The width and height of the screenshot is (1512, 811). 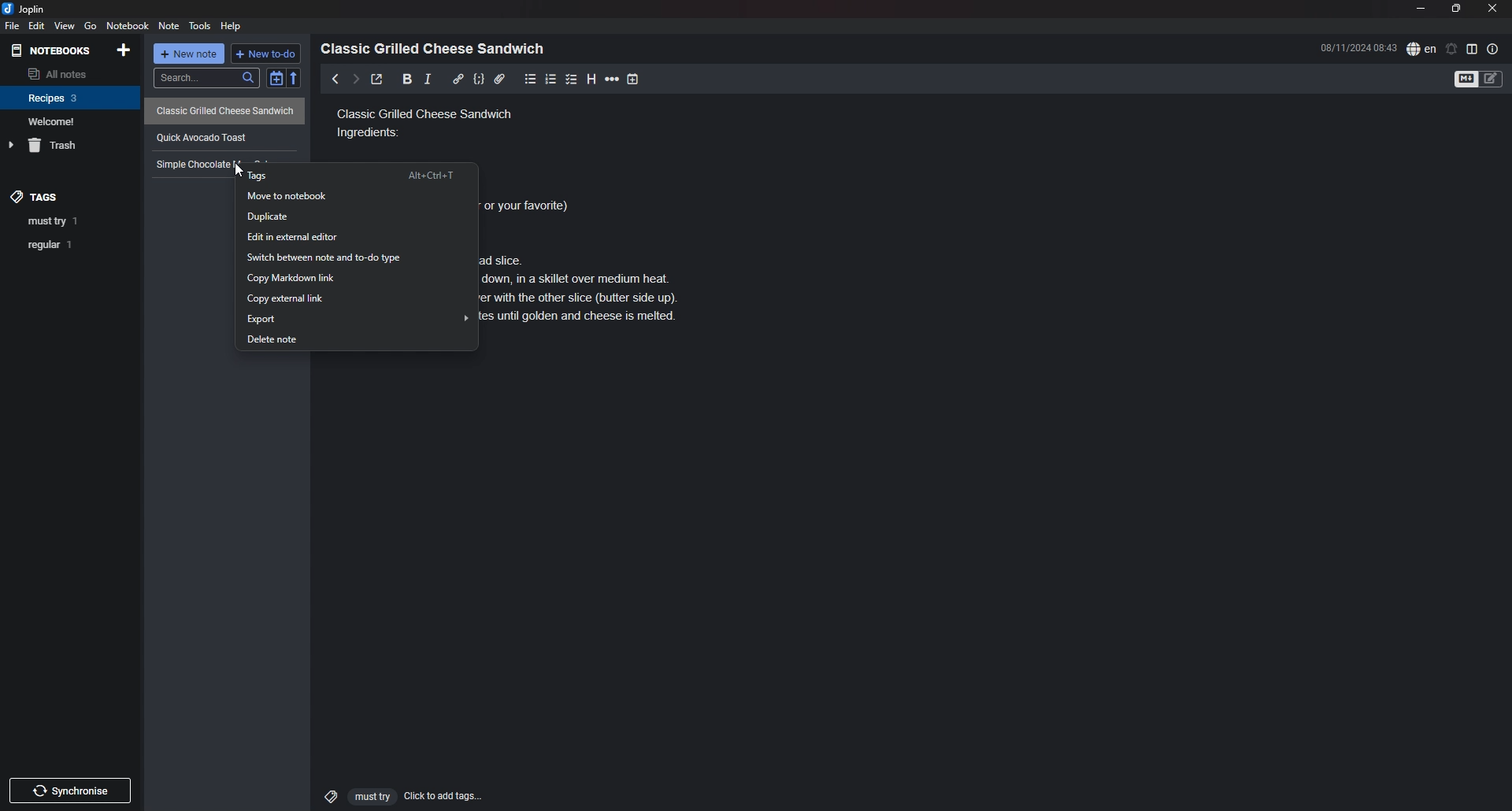 What do you see at coordinates (26, 9) in the screenshot?
I see `joplin` at bounding box center [26, 9].